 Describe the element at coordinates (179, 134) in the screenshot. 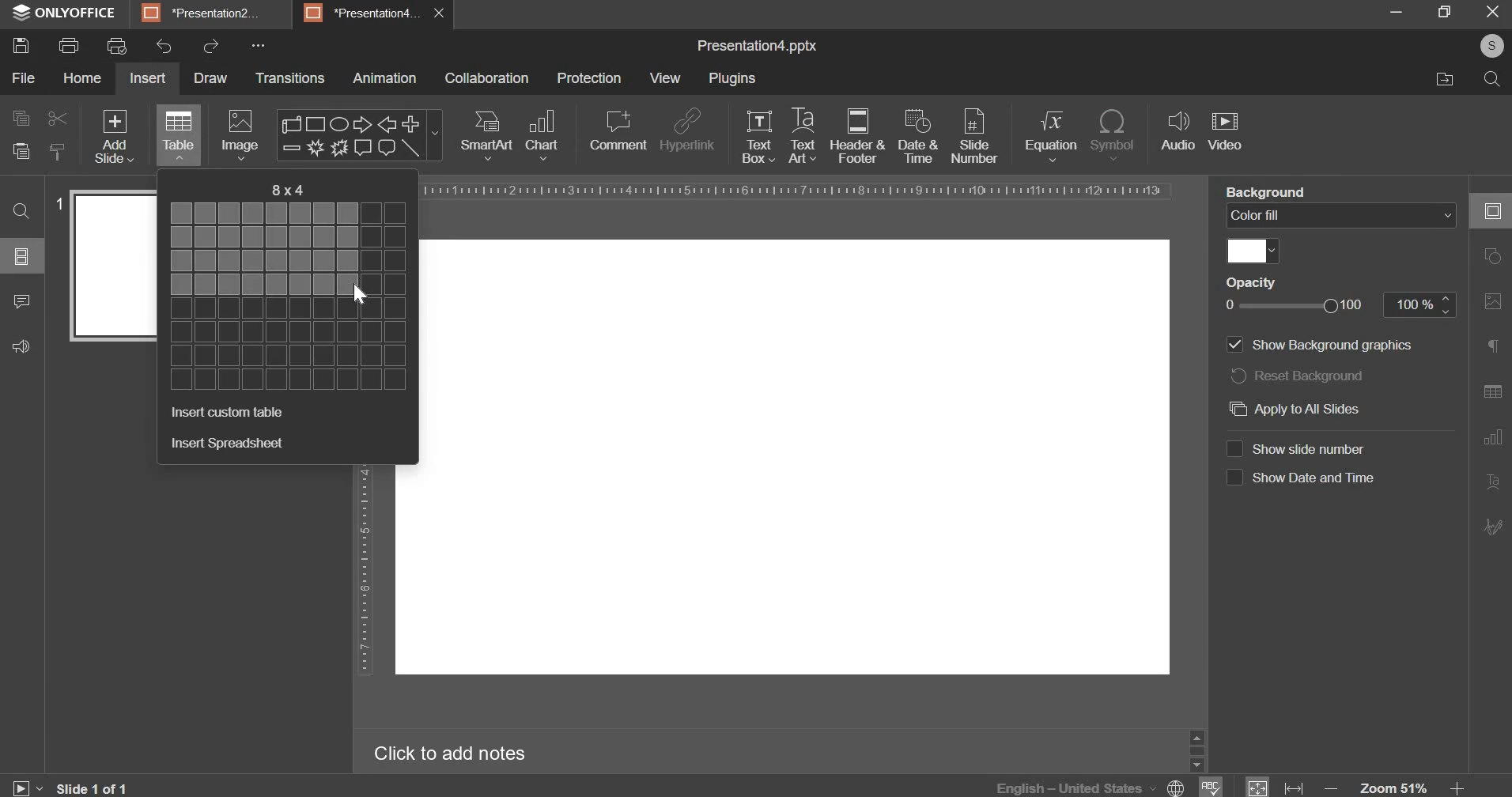

I see `tables` at that location.